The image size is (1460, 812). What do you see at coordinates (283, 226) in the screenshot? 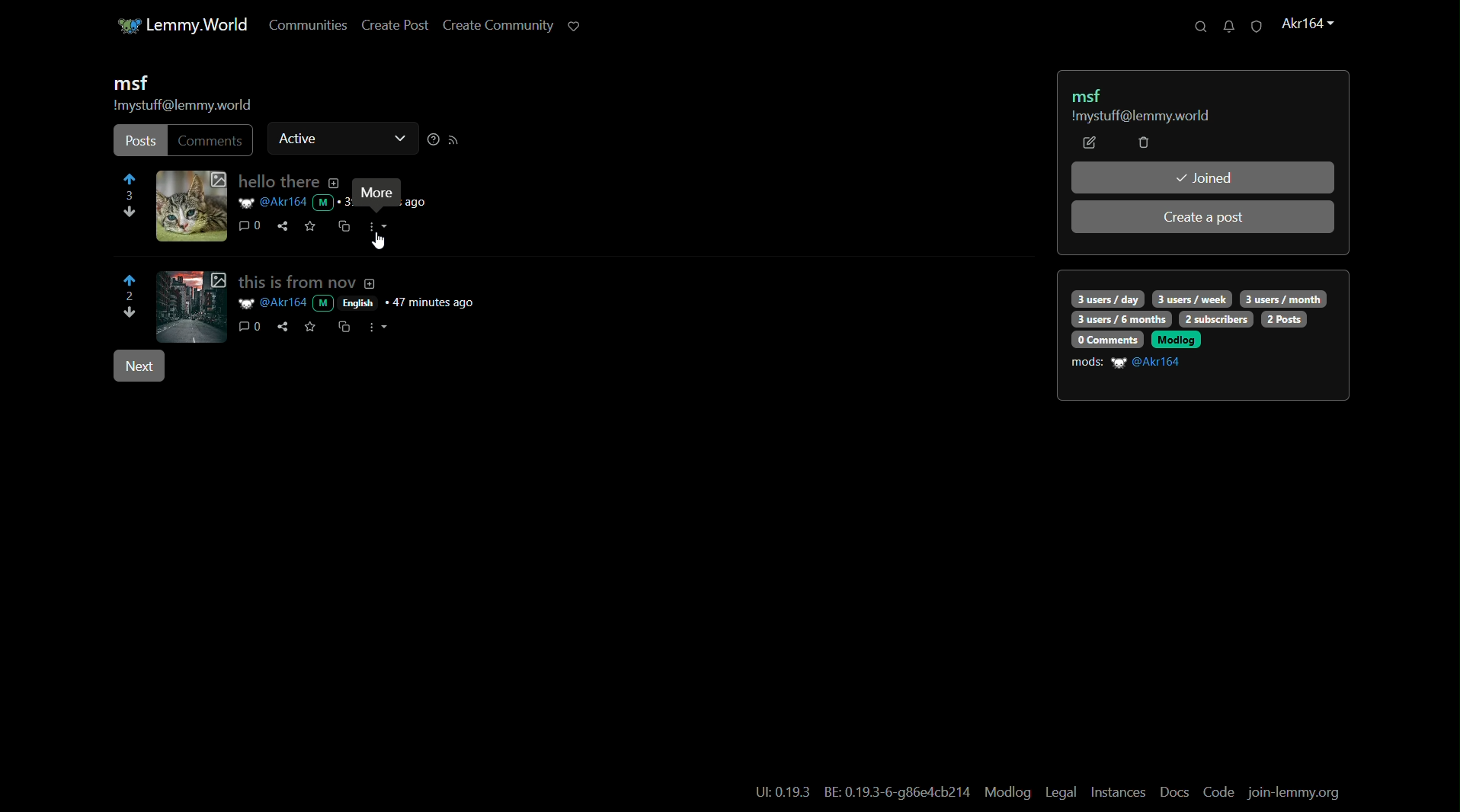
I see `share` at bounding box center [283, 226].